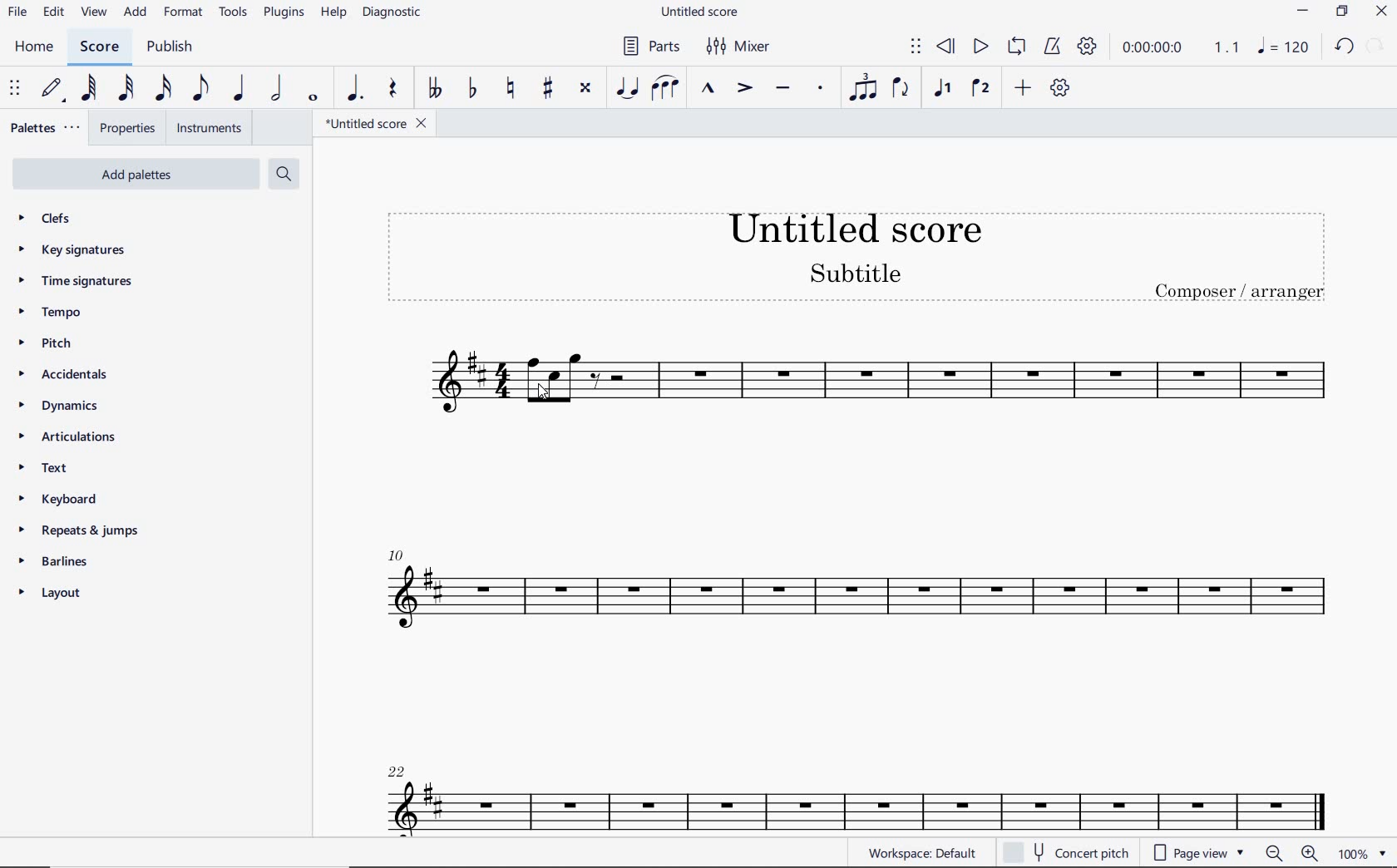 The height and width of the screenshot is (868, 1397). Describe the element at coordinates (1200, 853) in the screenshot. I see `PAGE VIEW` at that location.